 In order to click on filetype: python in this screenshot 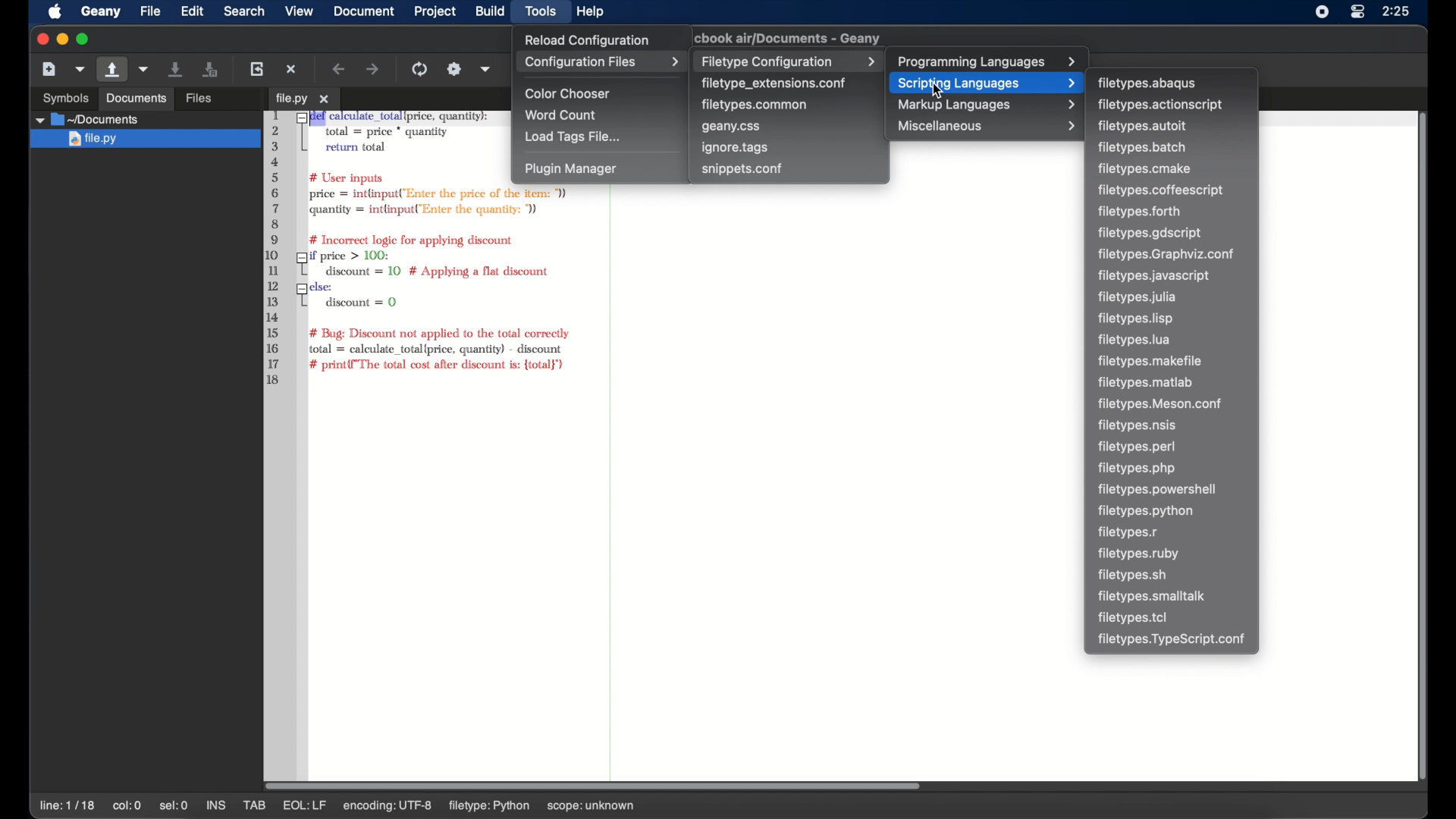, I will do `click(532, 805)`.